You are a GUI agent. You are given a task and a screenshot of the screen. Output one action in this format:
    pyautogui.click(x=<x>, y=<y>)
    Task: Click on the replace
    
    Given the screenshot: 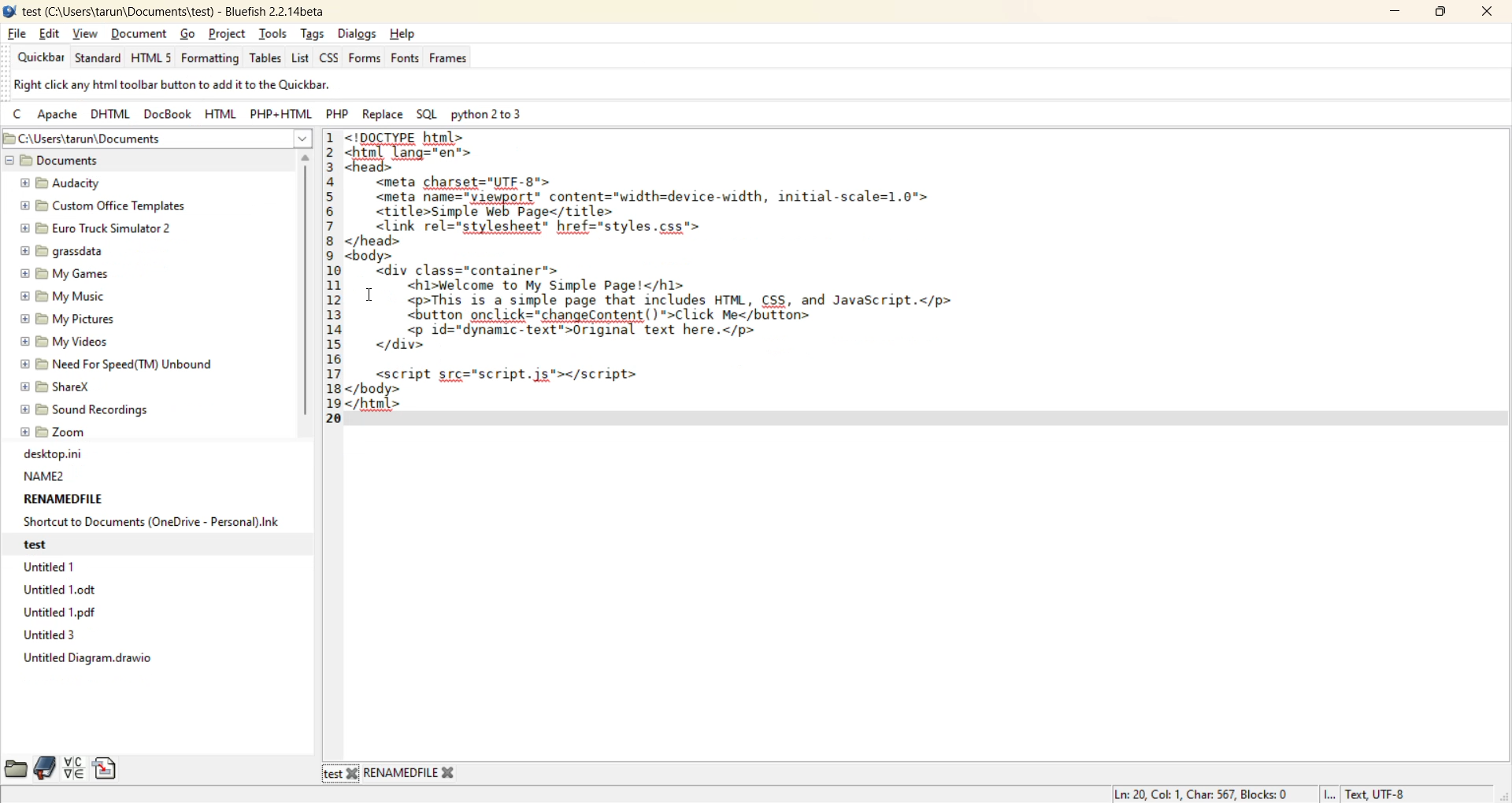 What is the action you would take?
    pyautogui.click(x=383, y=116)
    